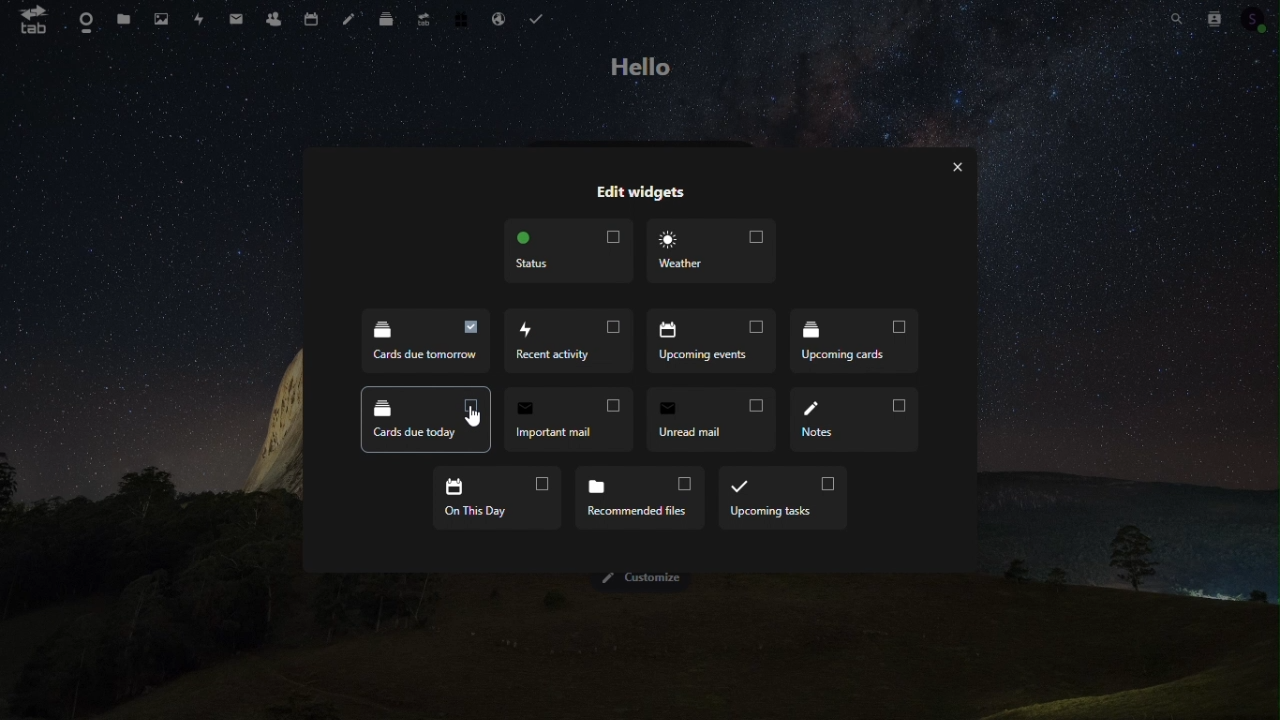 The width and height of the screenshot is (1280, 720). Describe the element at coordinates (568, 420) in the screenshot. I see `Important mail` at that location.